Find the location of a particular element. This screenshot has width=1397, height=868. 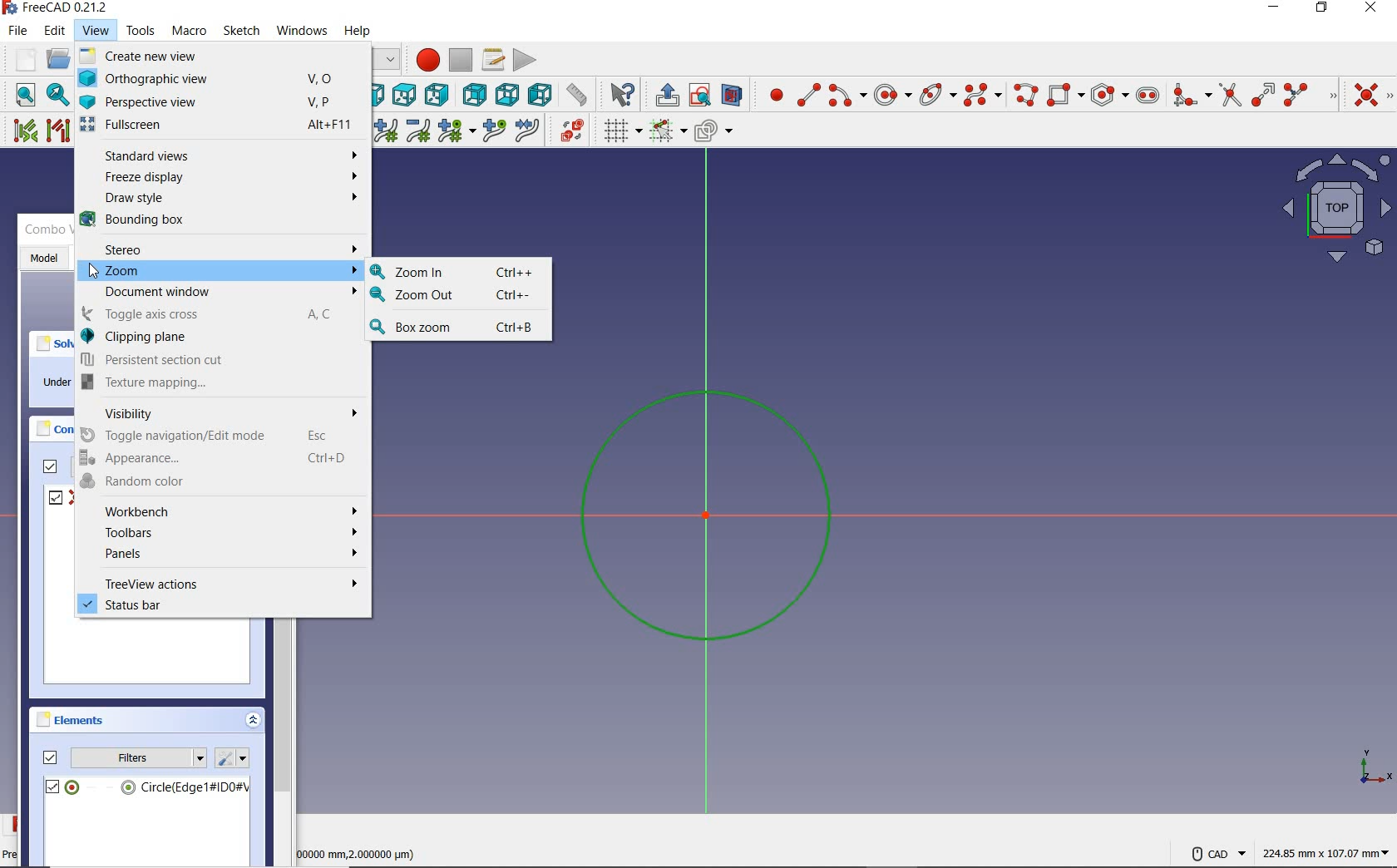

VAD Navigation Style is located at coordinates (1217, 855).